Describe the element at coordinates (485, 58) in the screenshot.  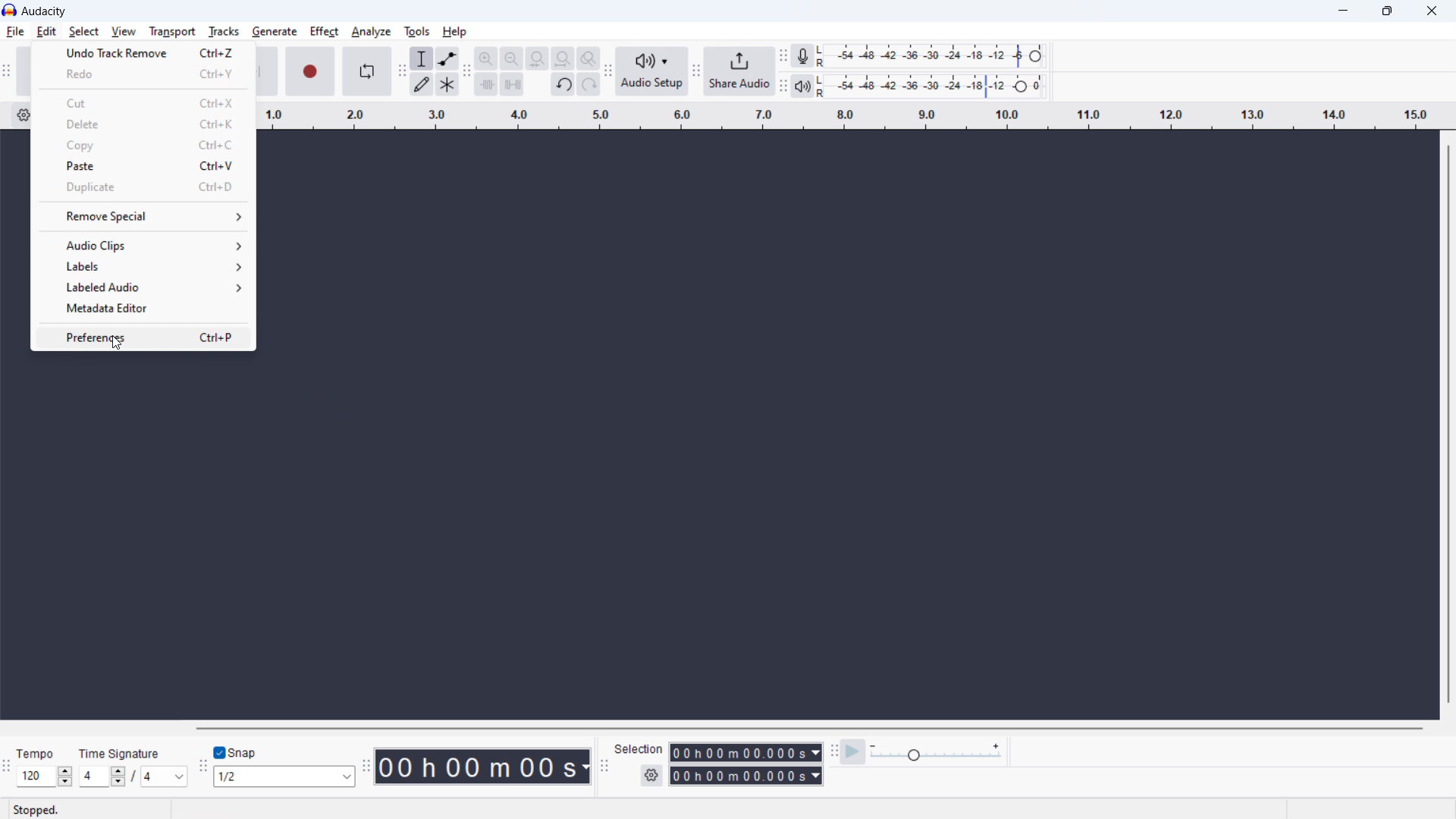
I see `zoom in` at that location.